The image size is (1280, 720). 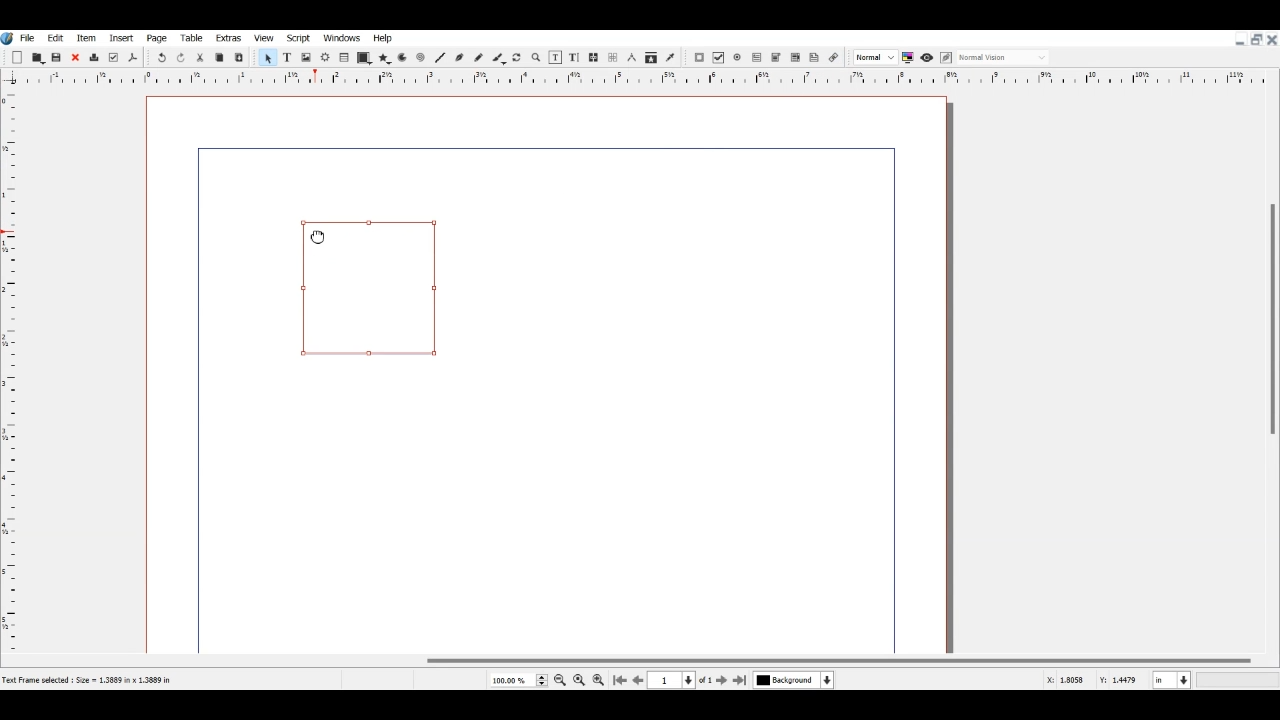 What do you see at coordinates (383, 38) in the screenshot?
I see `Help` at bounding box center [383, 38].